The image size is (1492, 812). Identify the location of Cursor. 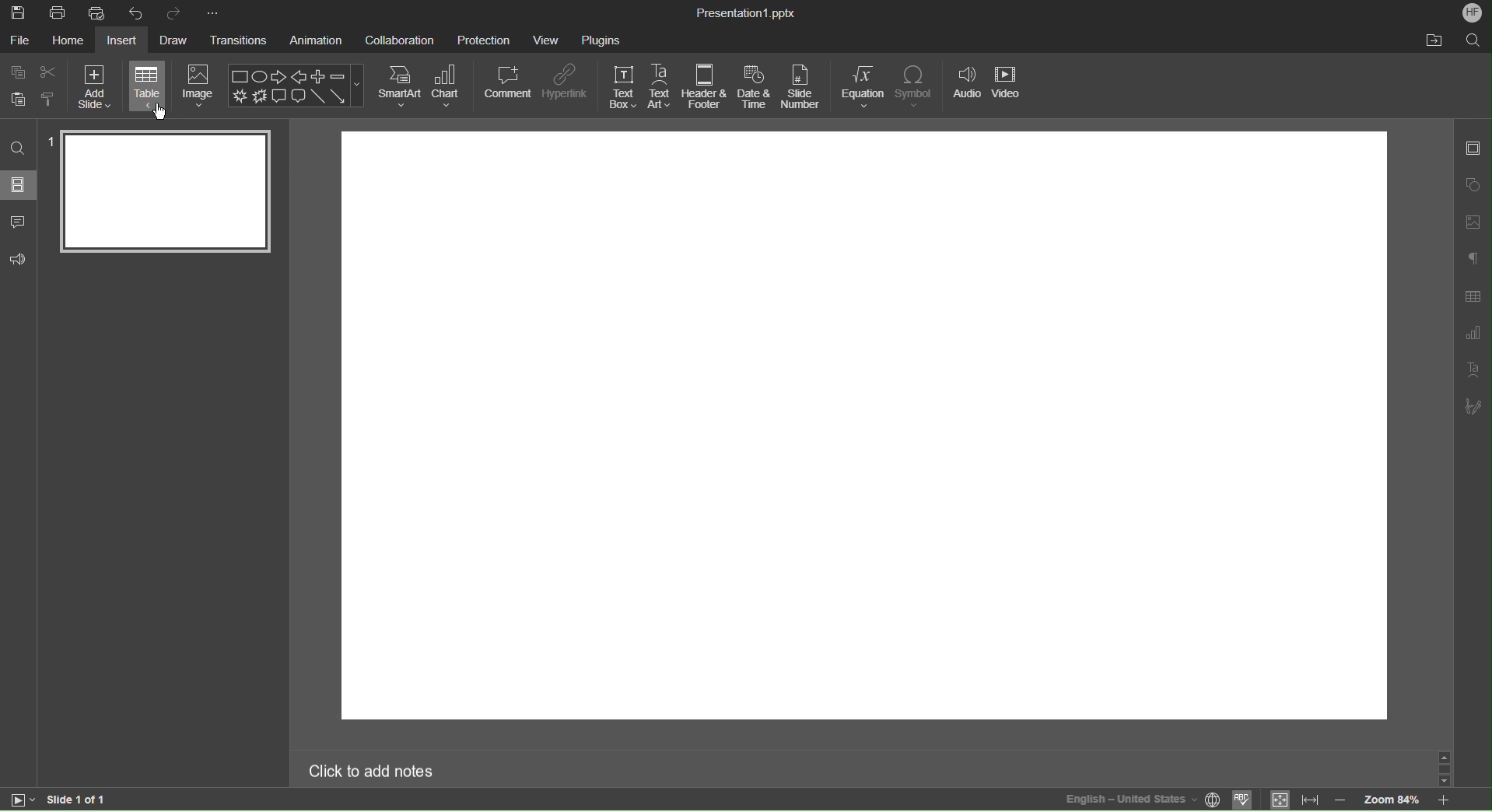
(157, 113).